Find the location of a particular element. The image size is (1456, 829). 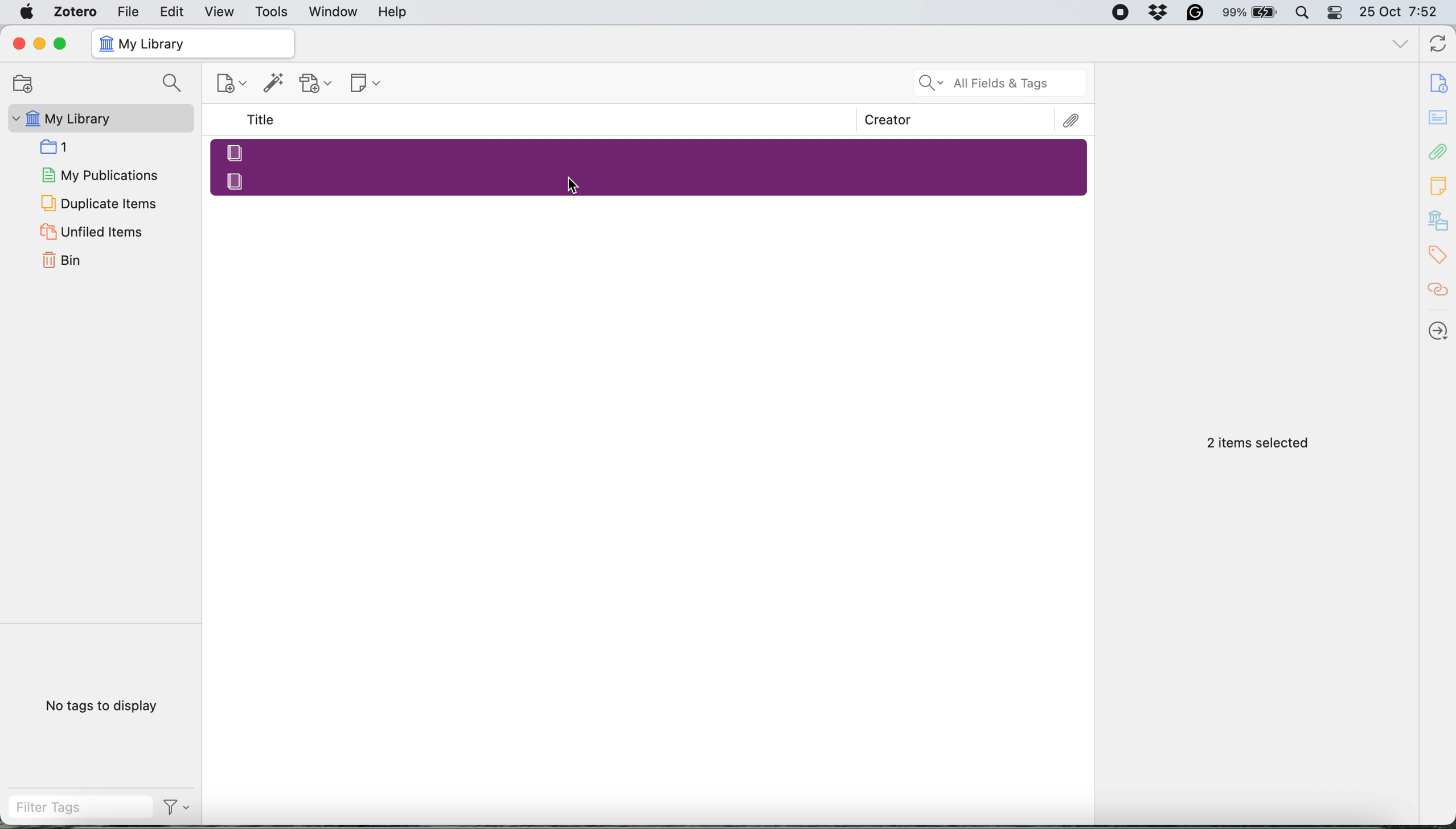

Filter Options is located at coordinates (181, 807).